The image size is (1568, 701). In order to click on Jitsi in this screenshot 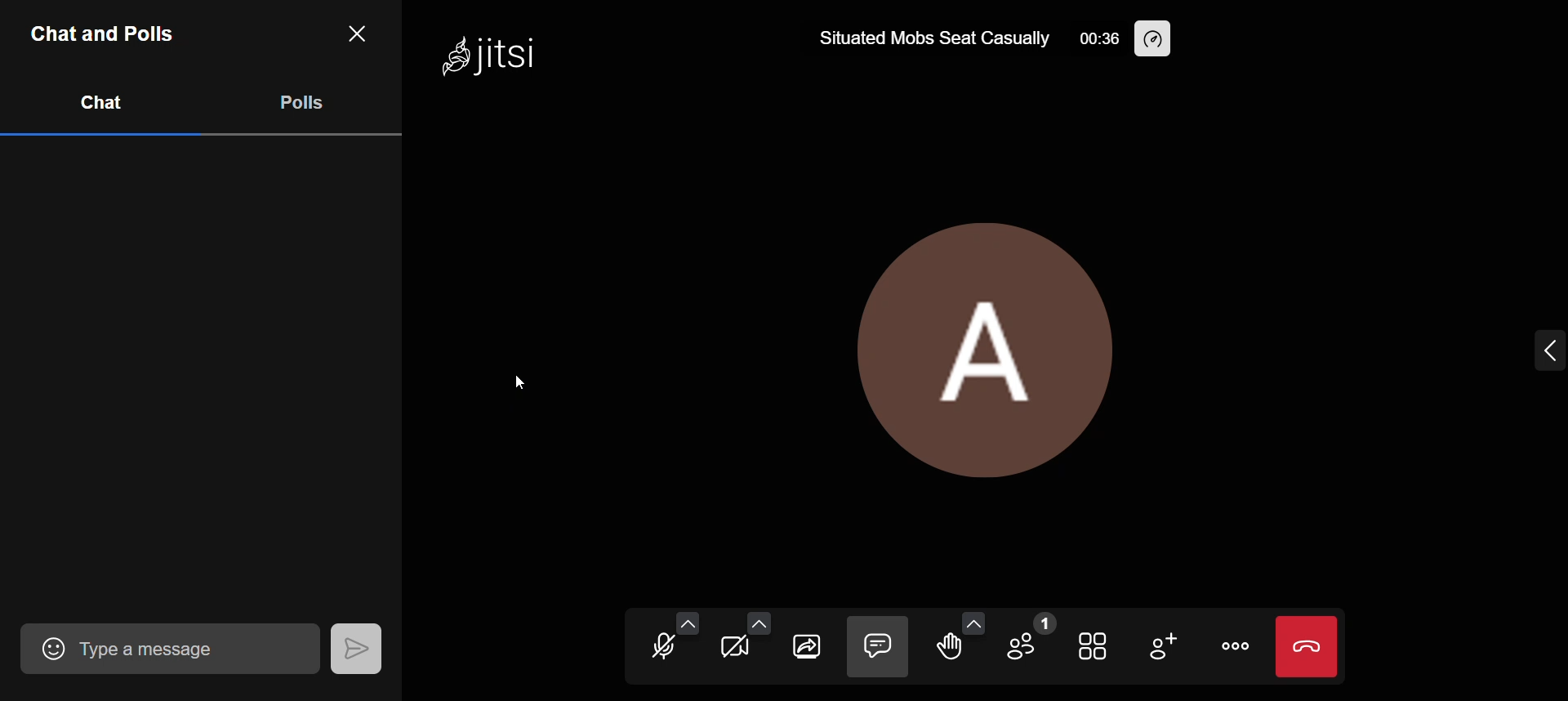, I will do `click(493, 52)`.